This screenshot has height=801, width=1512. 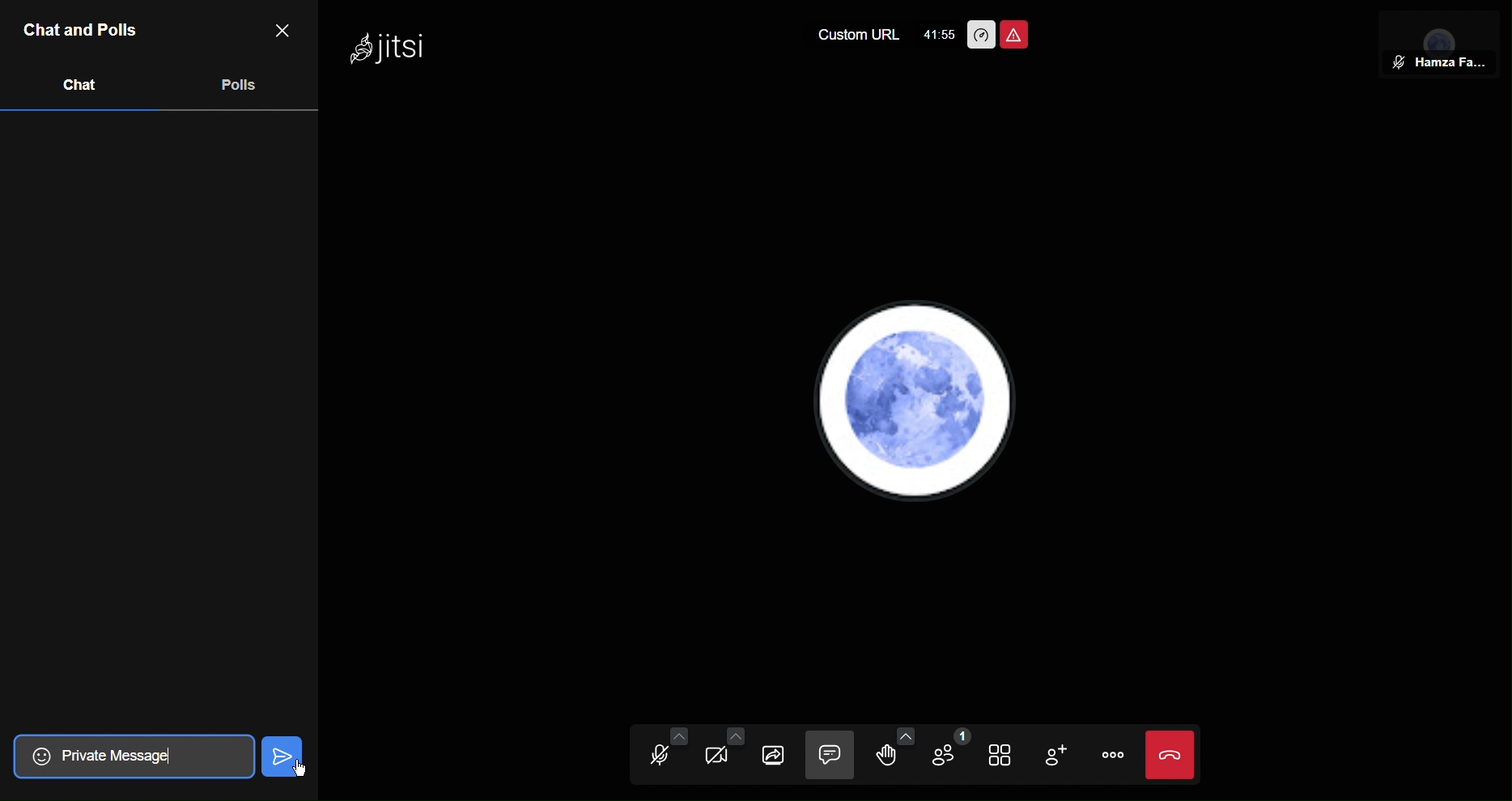 What do you see at coordinates (772, 751) in the screenshot?
I see `Share Selection` at bounding box center [772, 751].